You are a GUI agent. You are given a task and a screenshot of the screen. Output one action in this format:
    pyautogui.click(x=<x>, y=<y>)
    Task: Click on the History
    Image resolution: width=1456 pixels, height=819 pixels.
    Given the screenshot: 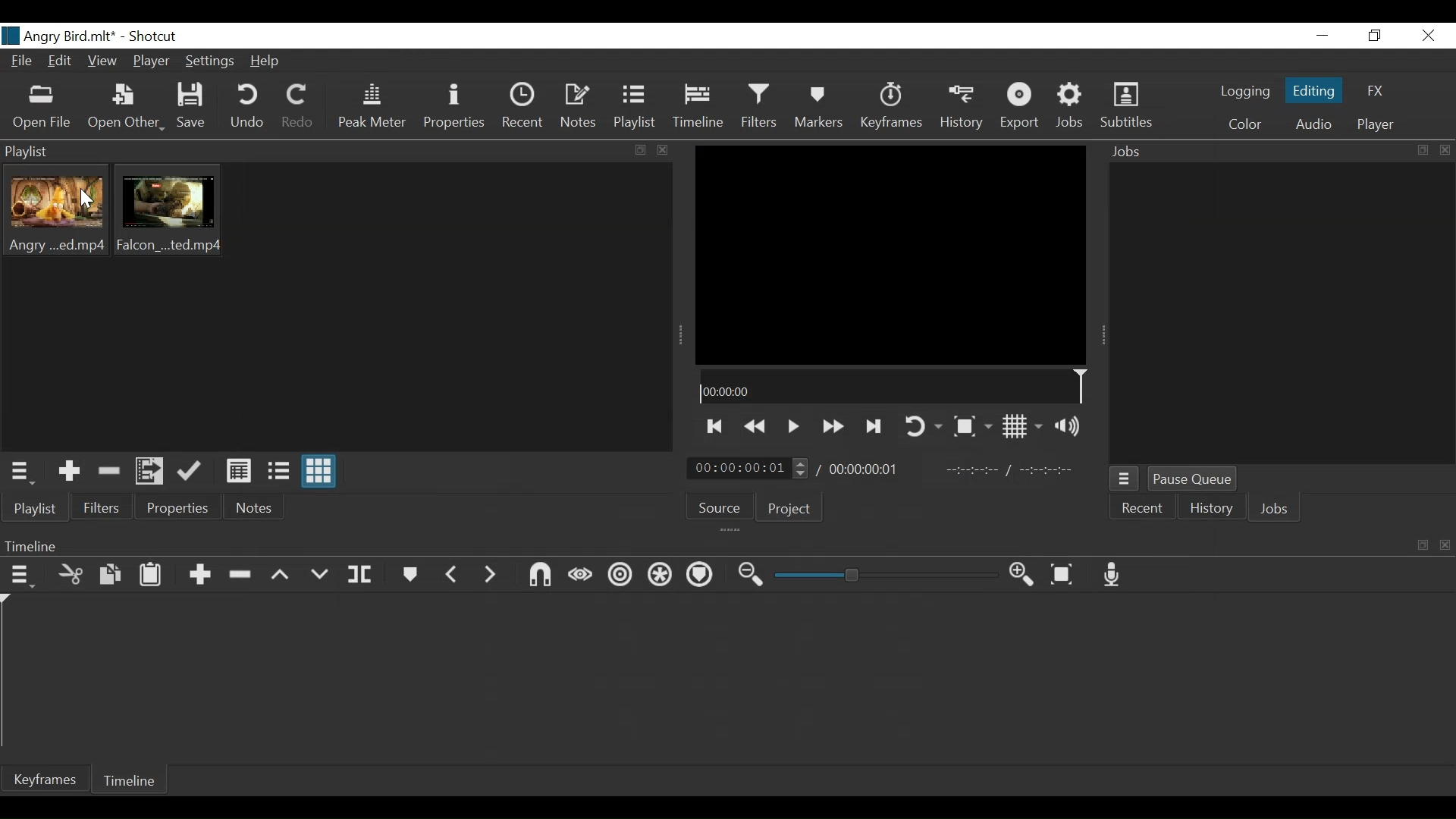 What is the action you would take?
    pyautogui.click(x=1208, y=510)
    